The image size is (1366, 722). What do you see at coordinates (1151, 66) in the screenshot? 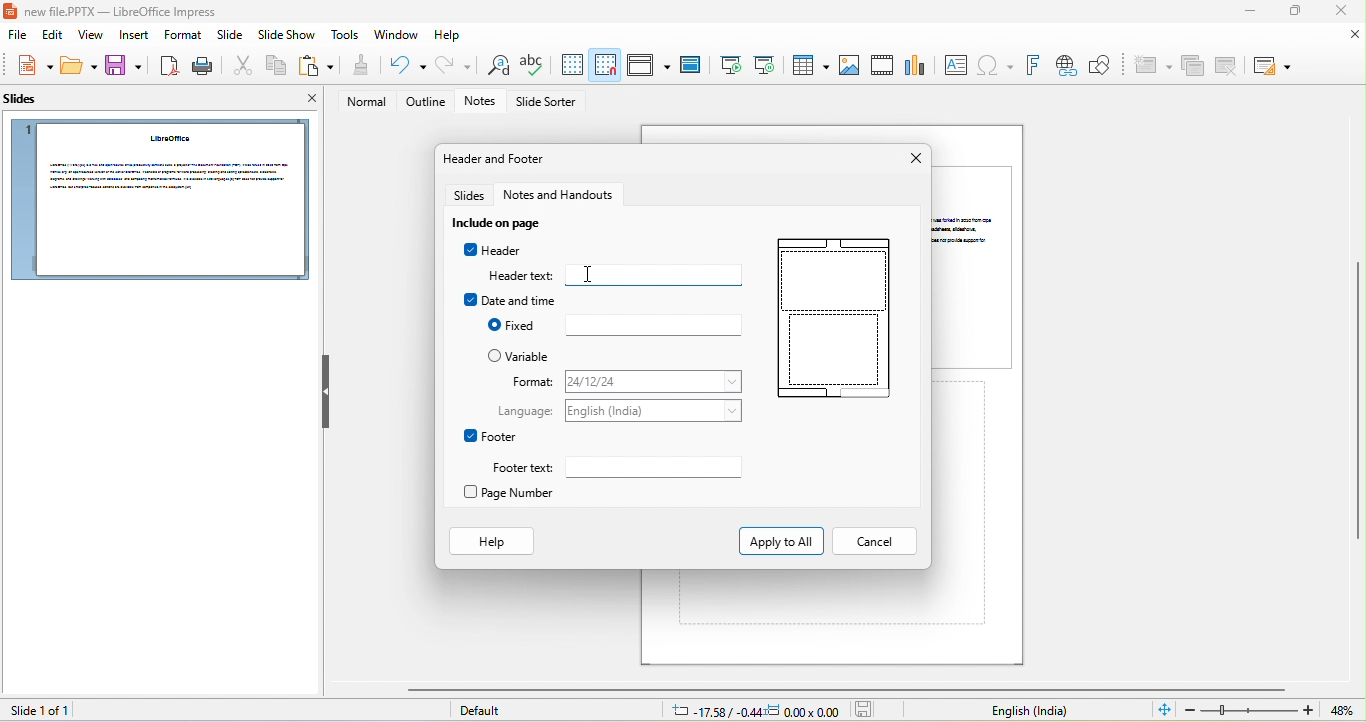
I see `new slide` at bounding box center [1151, 66].